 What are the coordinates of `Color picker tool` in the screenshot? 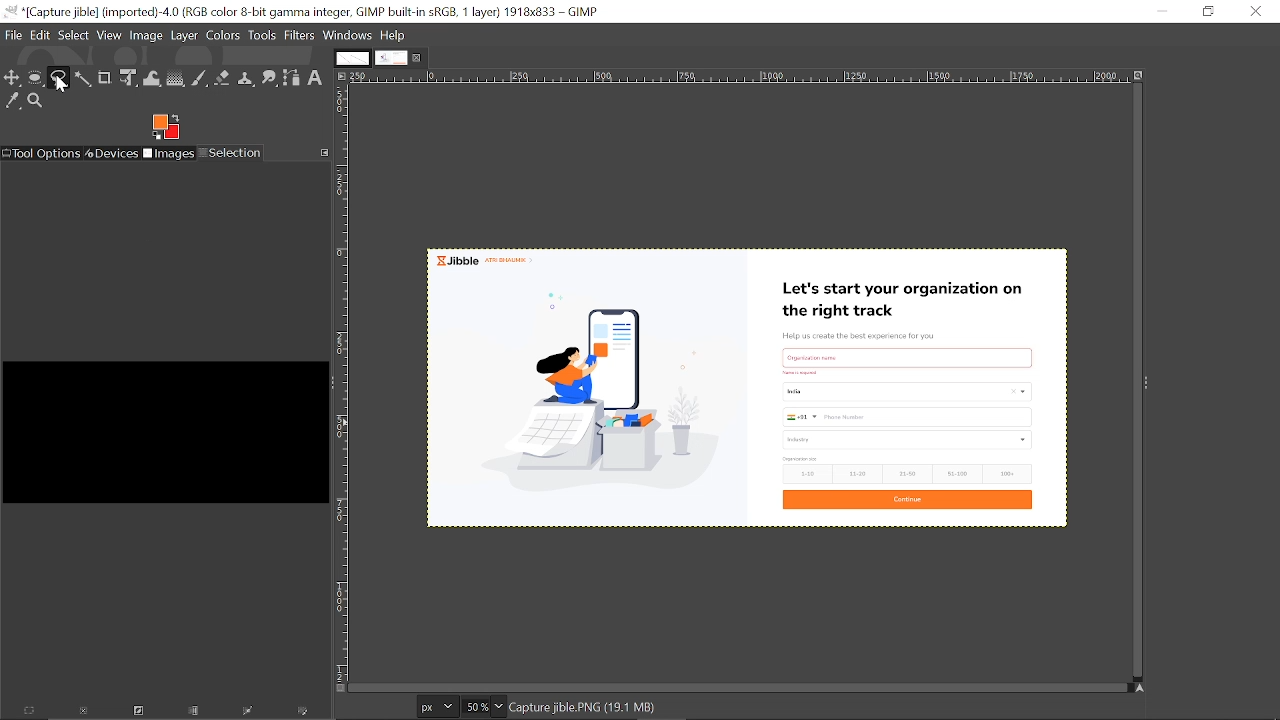 It's located at (12, 100).